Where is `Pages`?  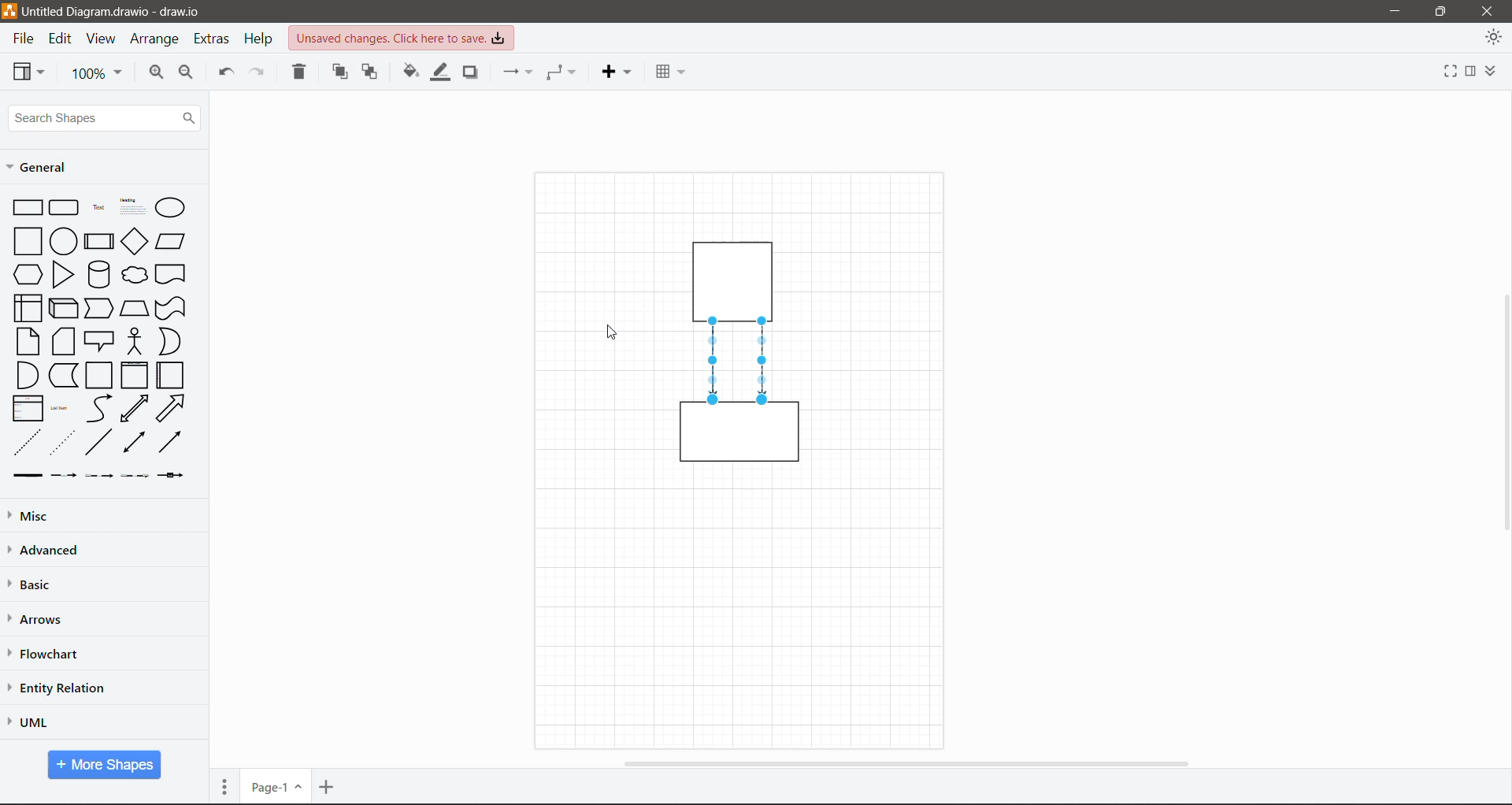 Pages is located at coordinates (224, 786).